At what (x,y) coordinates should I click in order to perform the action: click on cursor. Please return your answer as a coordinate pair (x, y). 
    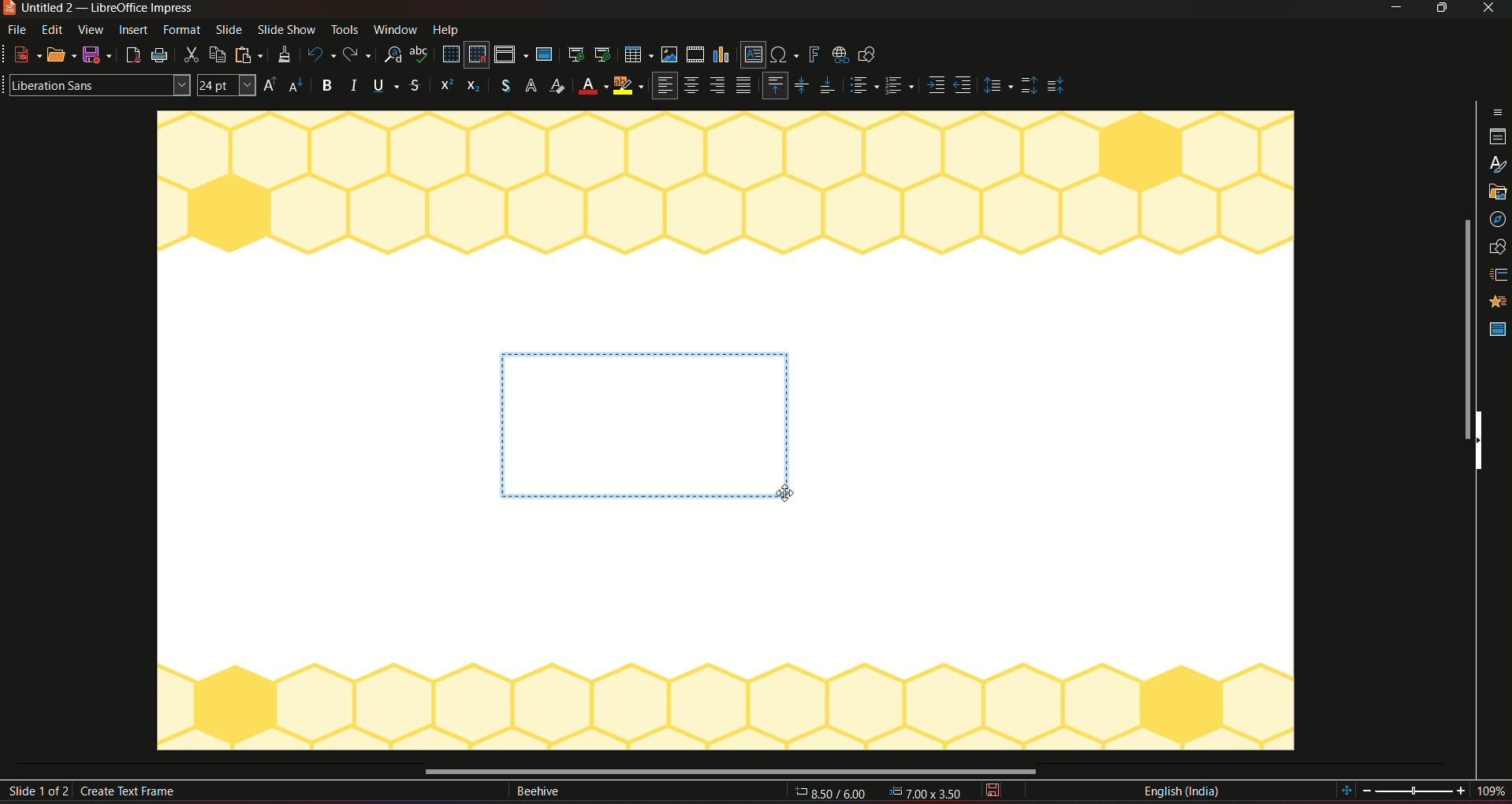
    Looking at the image, I should click on (788, 495).